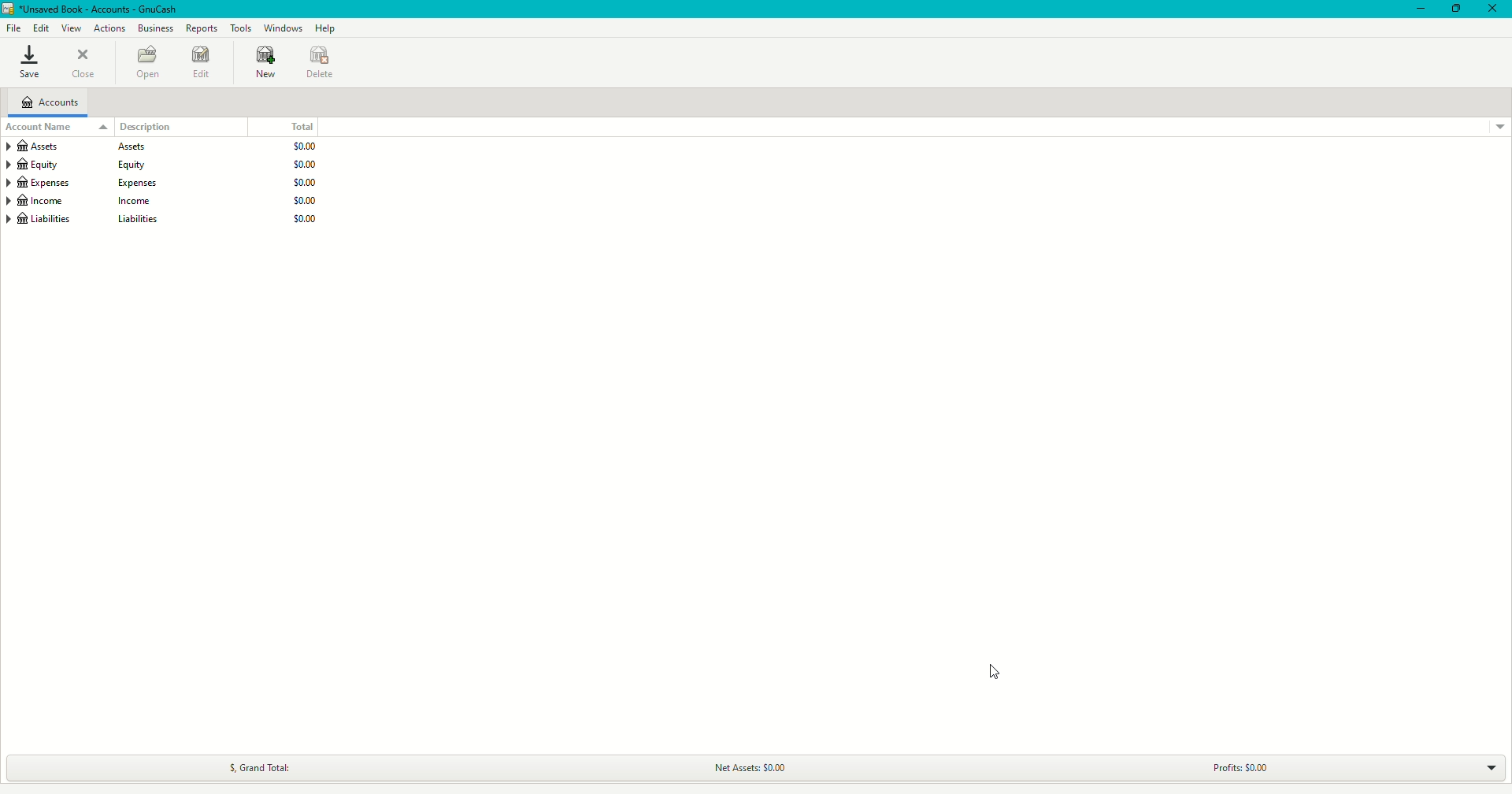 The width and height of the screenshot is (1512, 794). What do you see at coordinates (1456, 9) in the screenshot?
I see `Restore` at bounding box center [1456, 9].